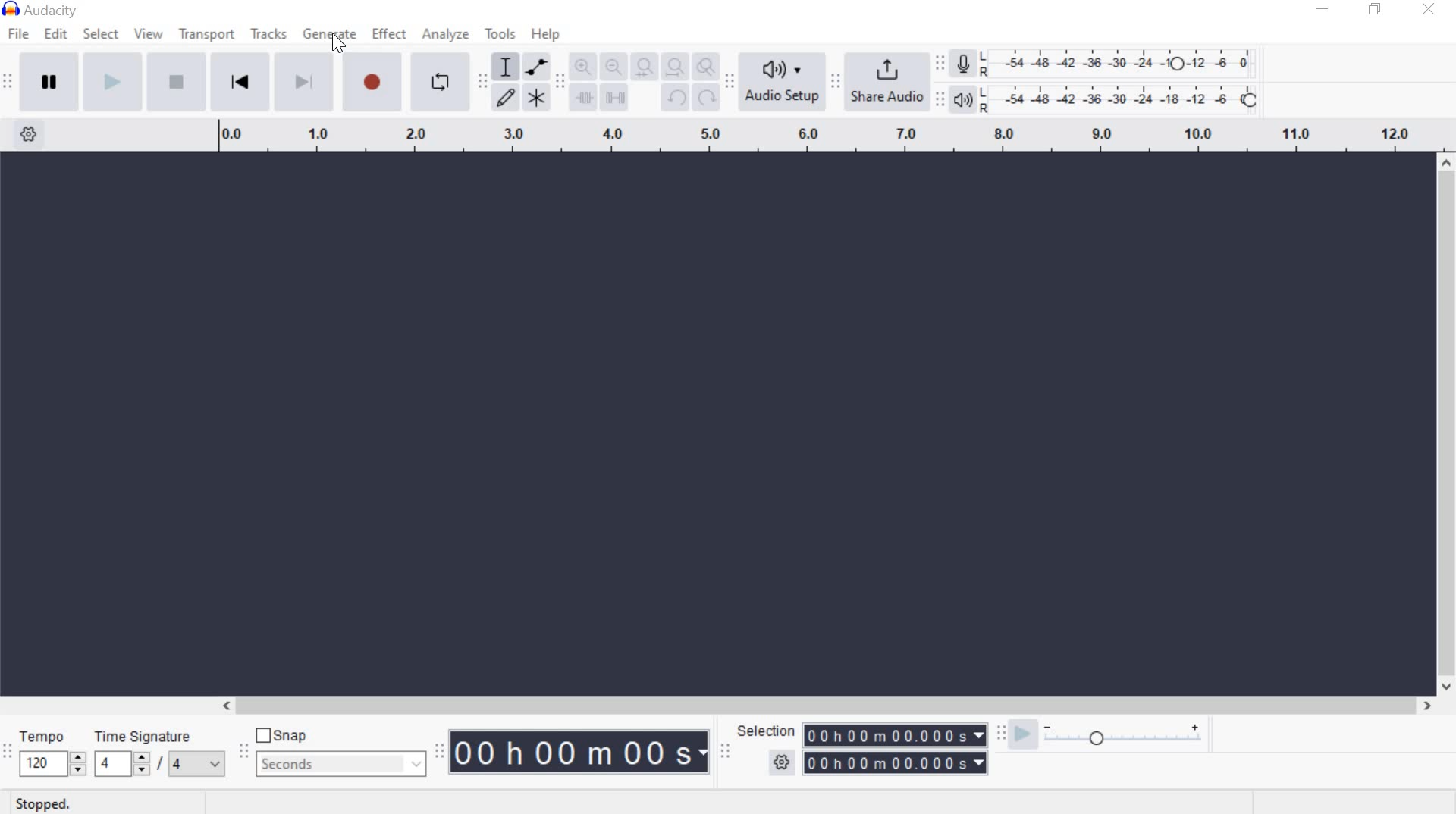 The height and width of the screenshot is (814, 1456). I want to click on Fit selection to width, so click(641, 65).